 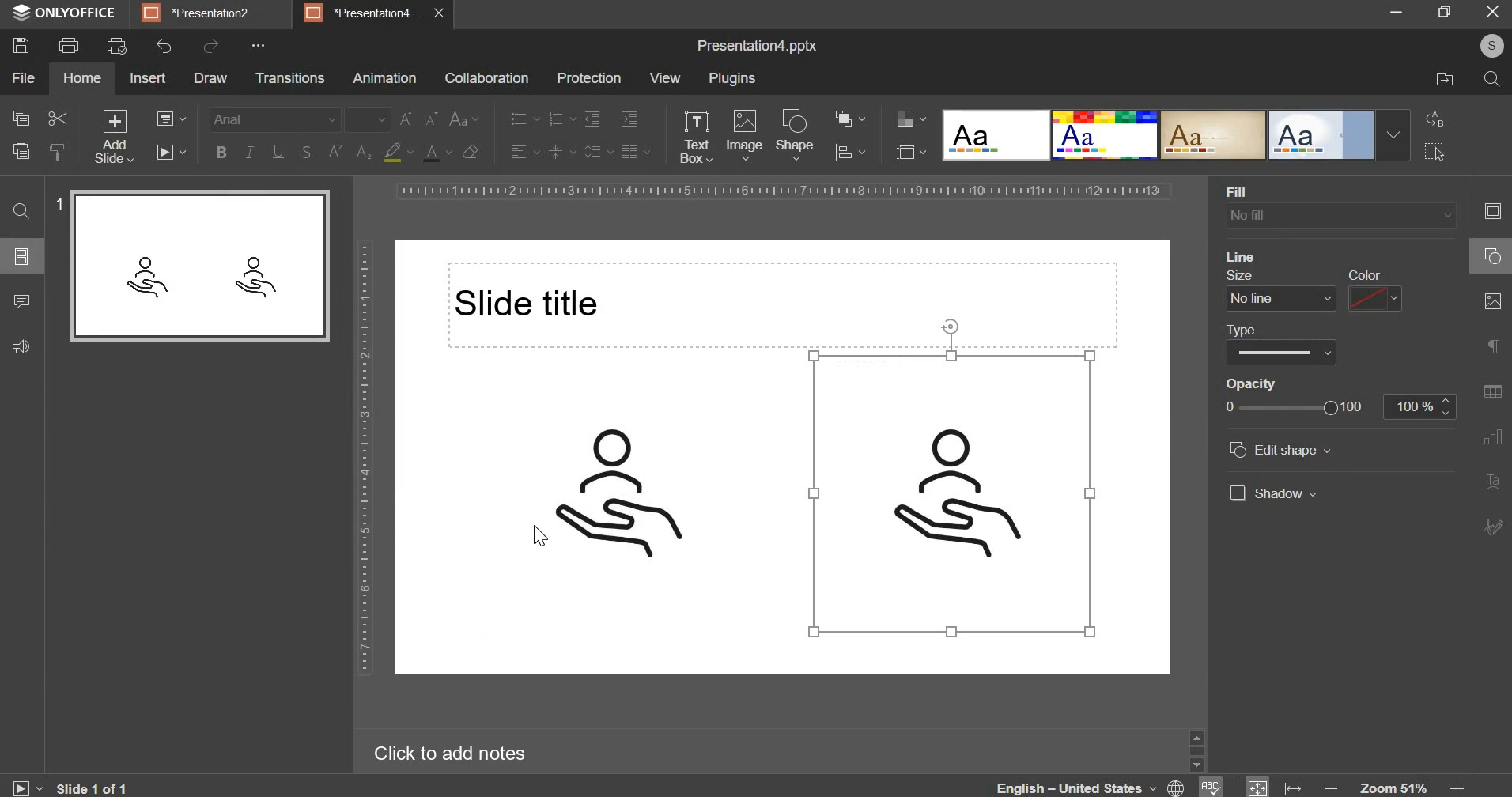 What do you see at coordinates (174, 157) in the screenshot?
I see `slideshow` at bounding box center [174, 157].